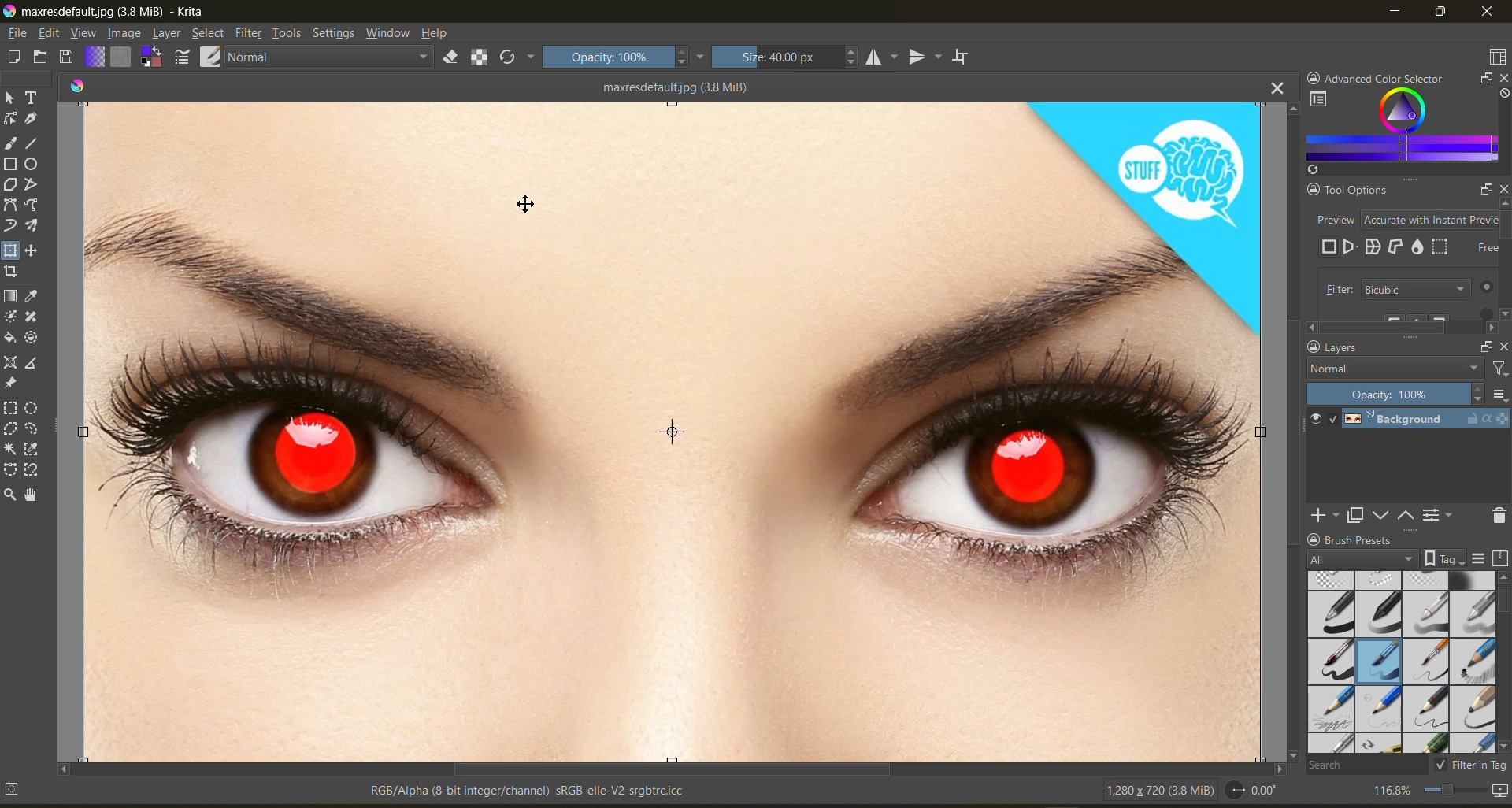 The height and width of the screenshot is (808, 1512). I want to click on tool, so click(33, 165).